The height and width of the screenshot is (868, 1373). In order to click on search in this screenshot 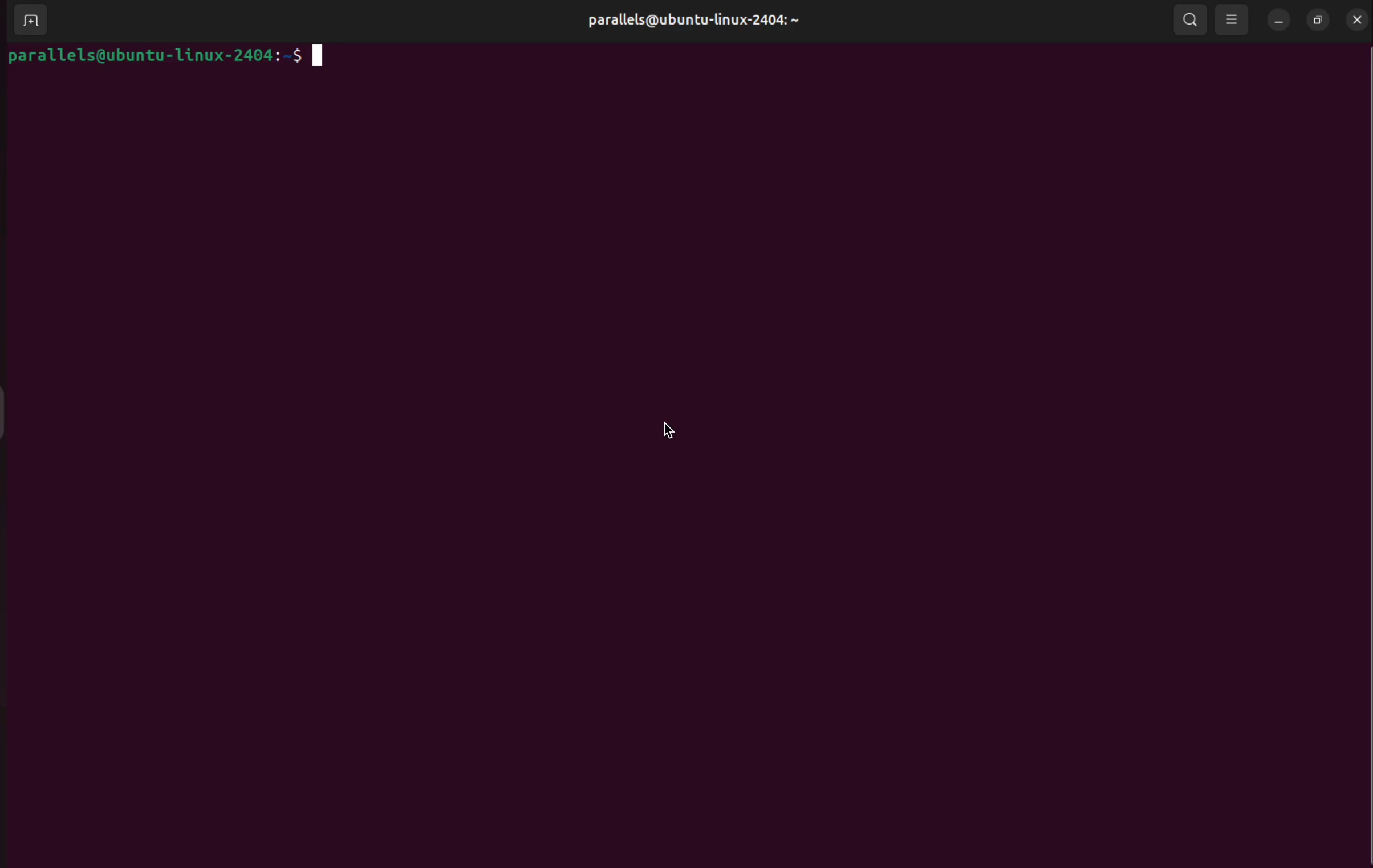, I will do `click(1192, 20)`.